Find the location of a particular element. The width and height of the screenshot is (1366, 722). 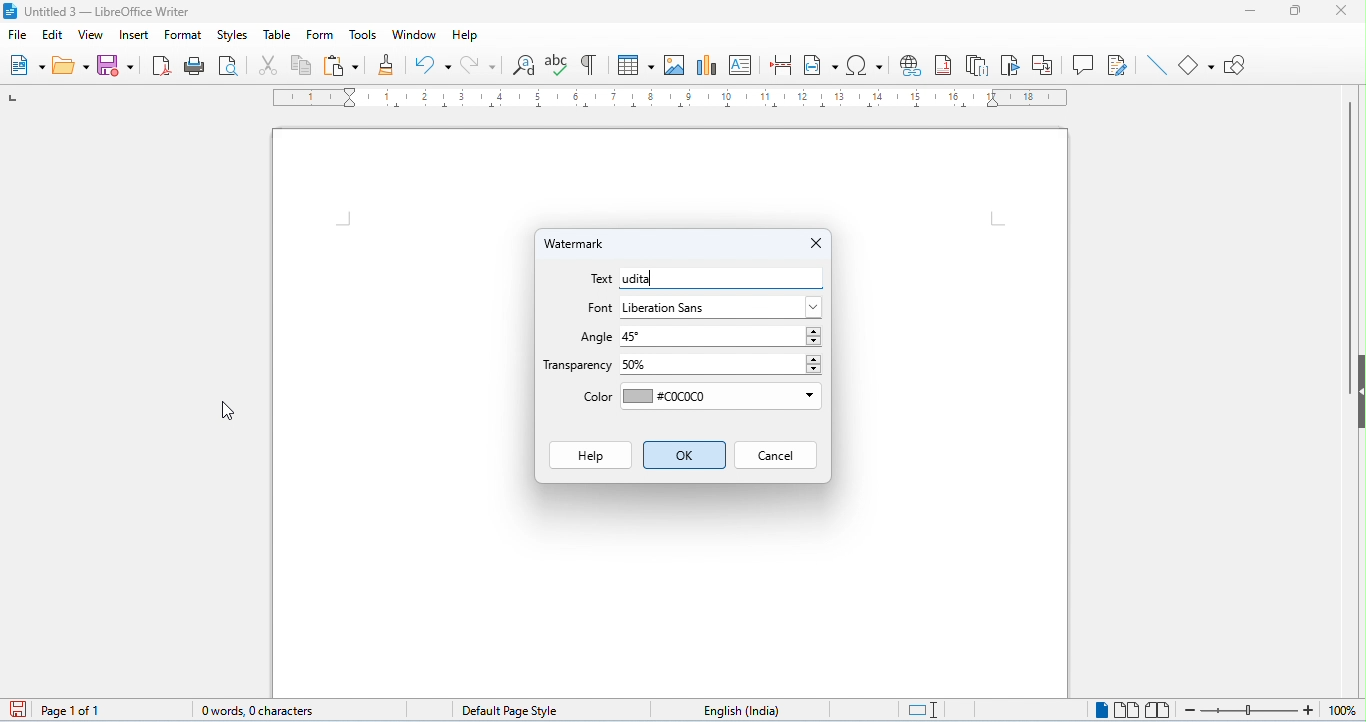

table insert is located at coordinates (633, 62).